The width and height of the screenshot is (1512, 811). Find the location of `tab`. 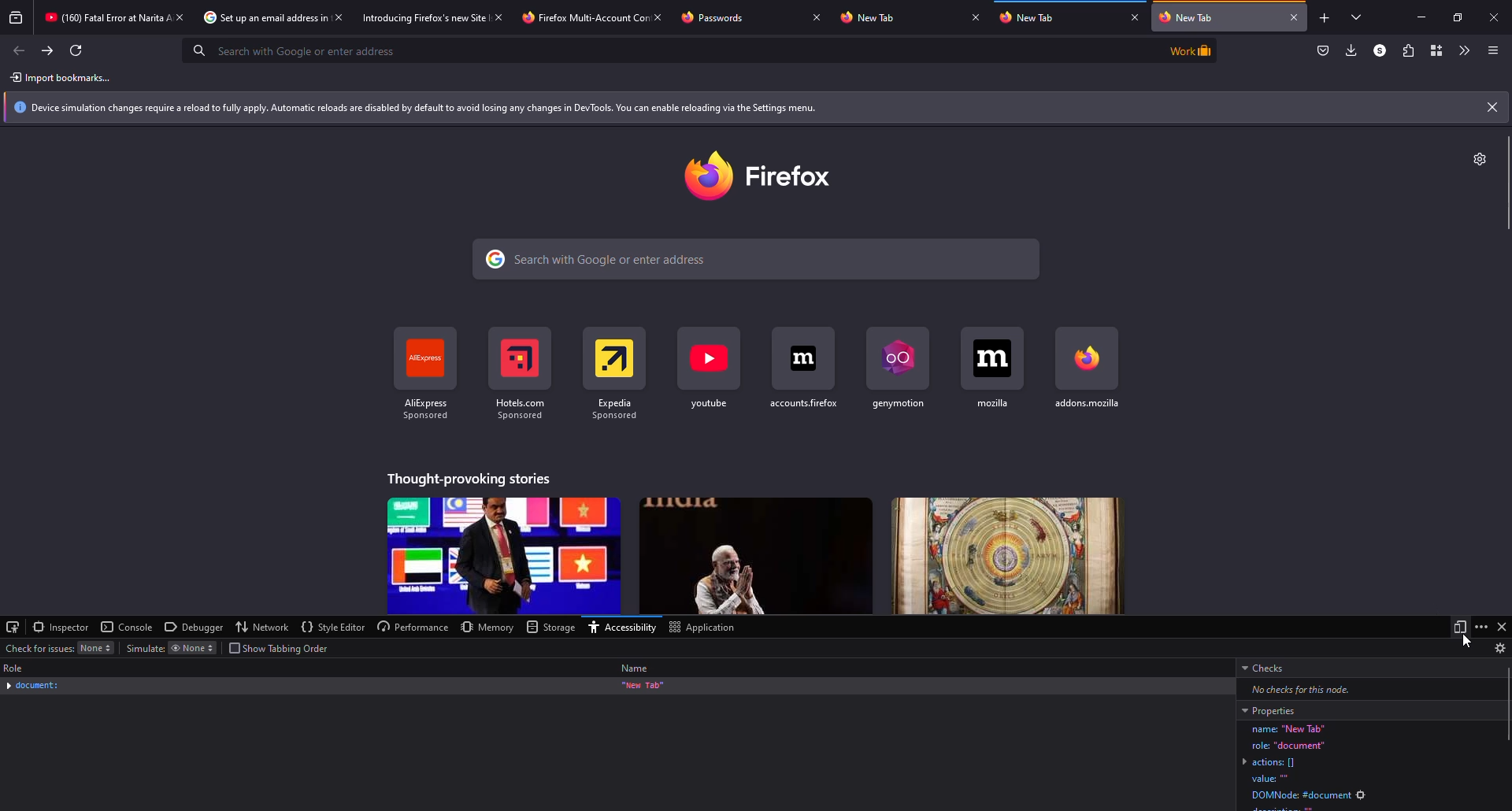

tab is located at coordinates (717, 17).